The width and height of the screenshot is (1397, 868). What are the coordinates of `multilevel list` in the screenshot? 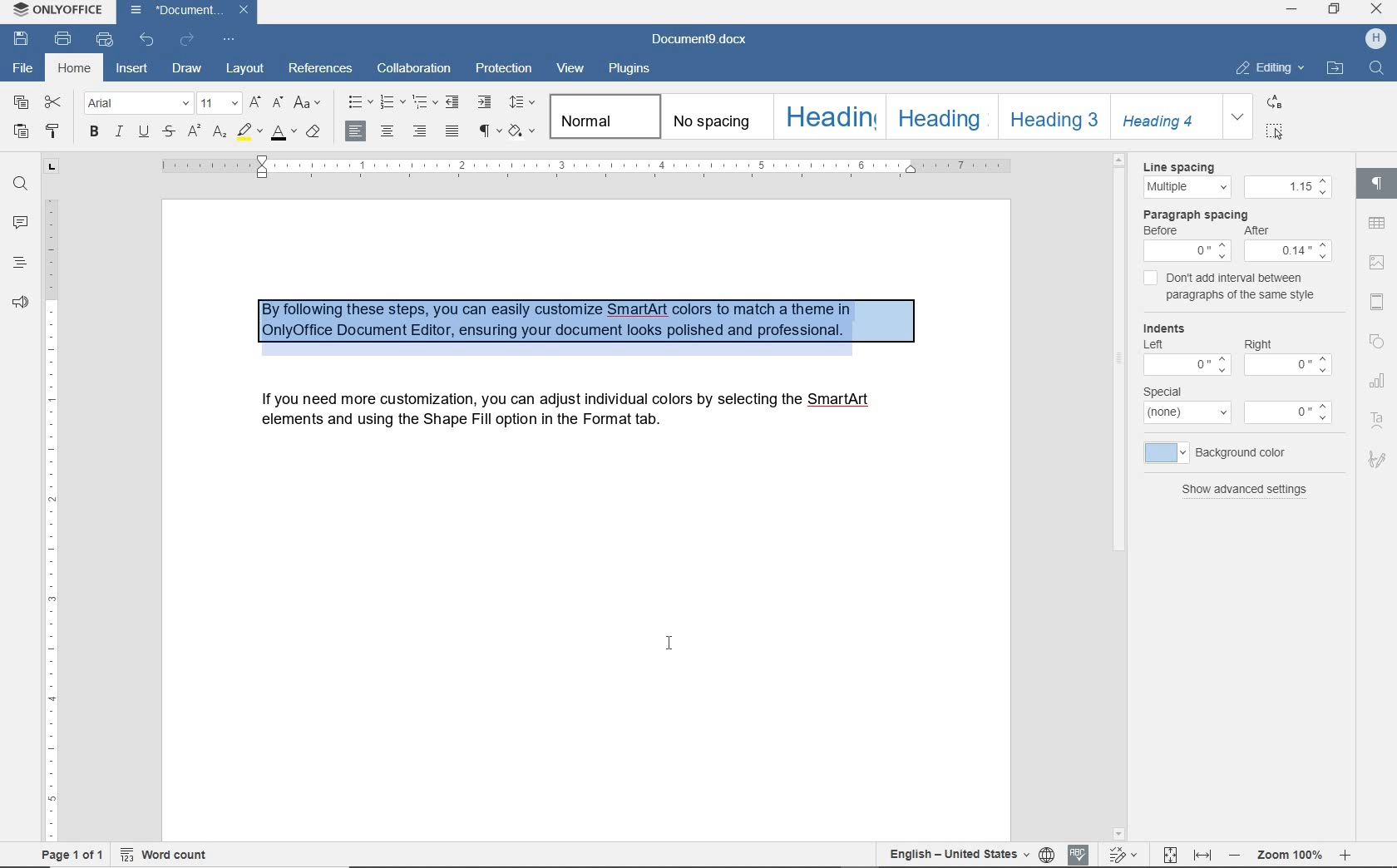 It's located at (422, 105).